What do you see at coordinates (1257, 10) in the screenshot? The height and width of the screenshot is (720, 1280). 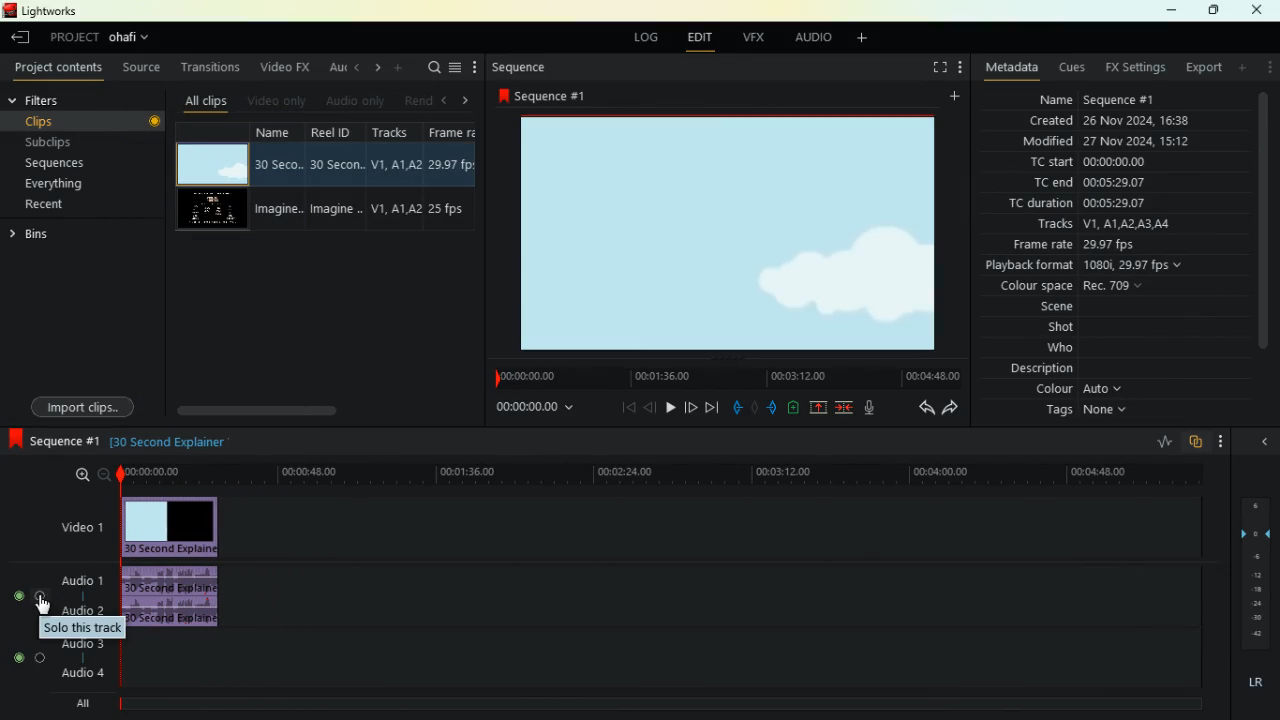 I see `close` at bounding box center [1257, 10].